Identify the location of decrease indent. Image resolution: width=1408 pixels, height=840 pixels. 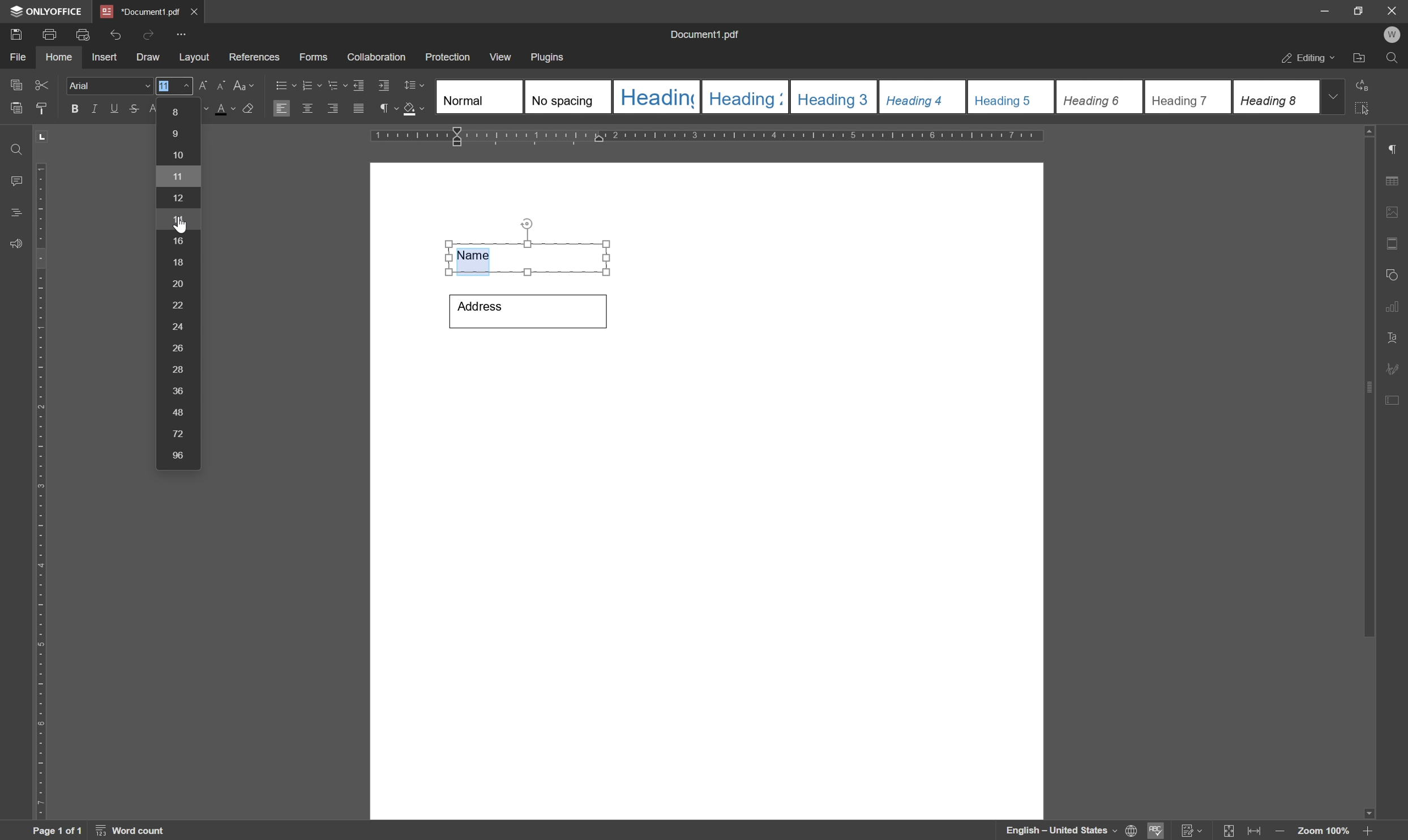
(357, 84).